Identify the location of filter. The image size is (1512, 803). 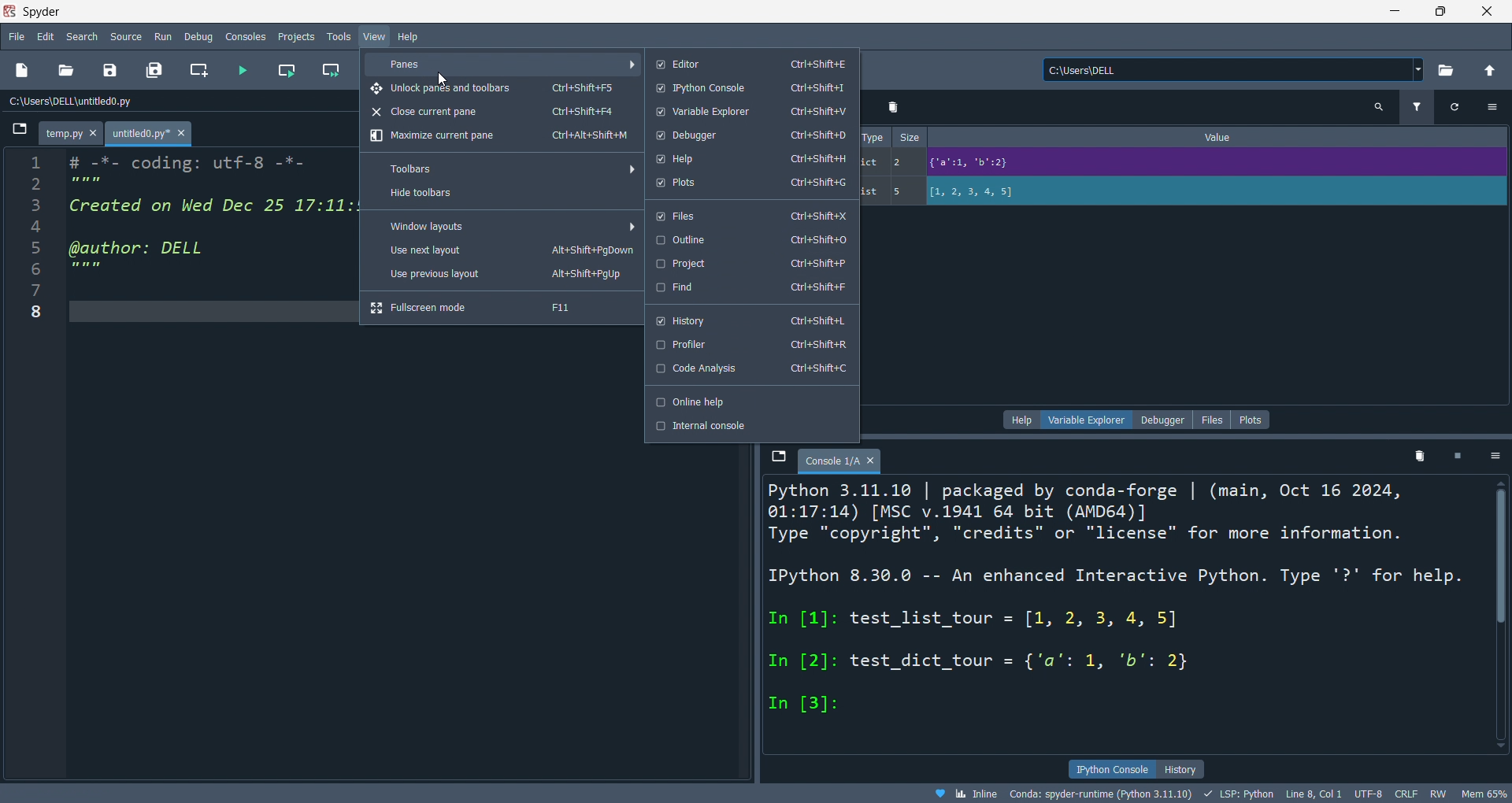
(1417, 108).